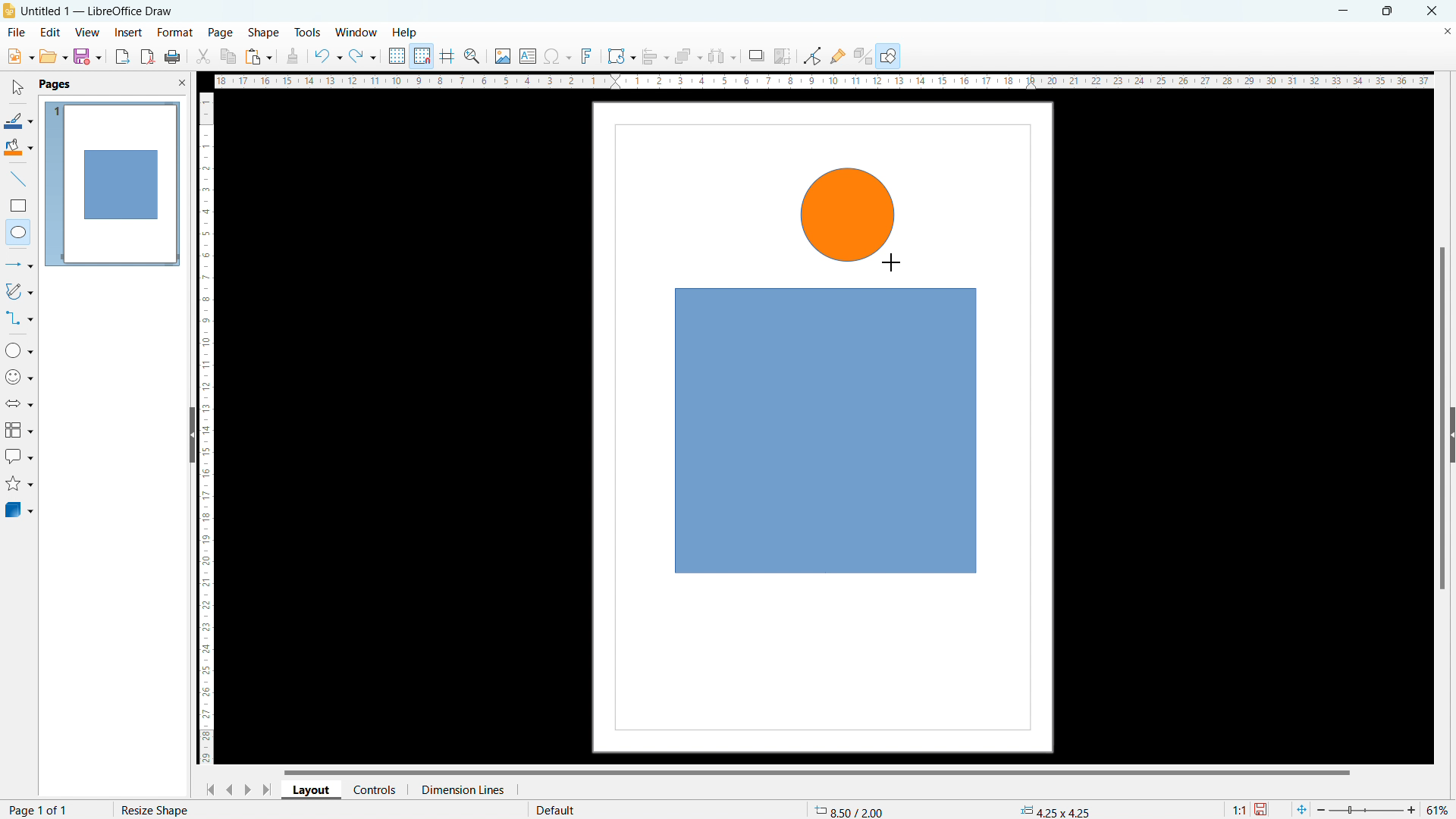  I want to click on redo, so click(362, 57).